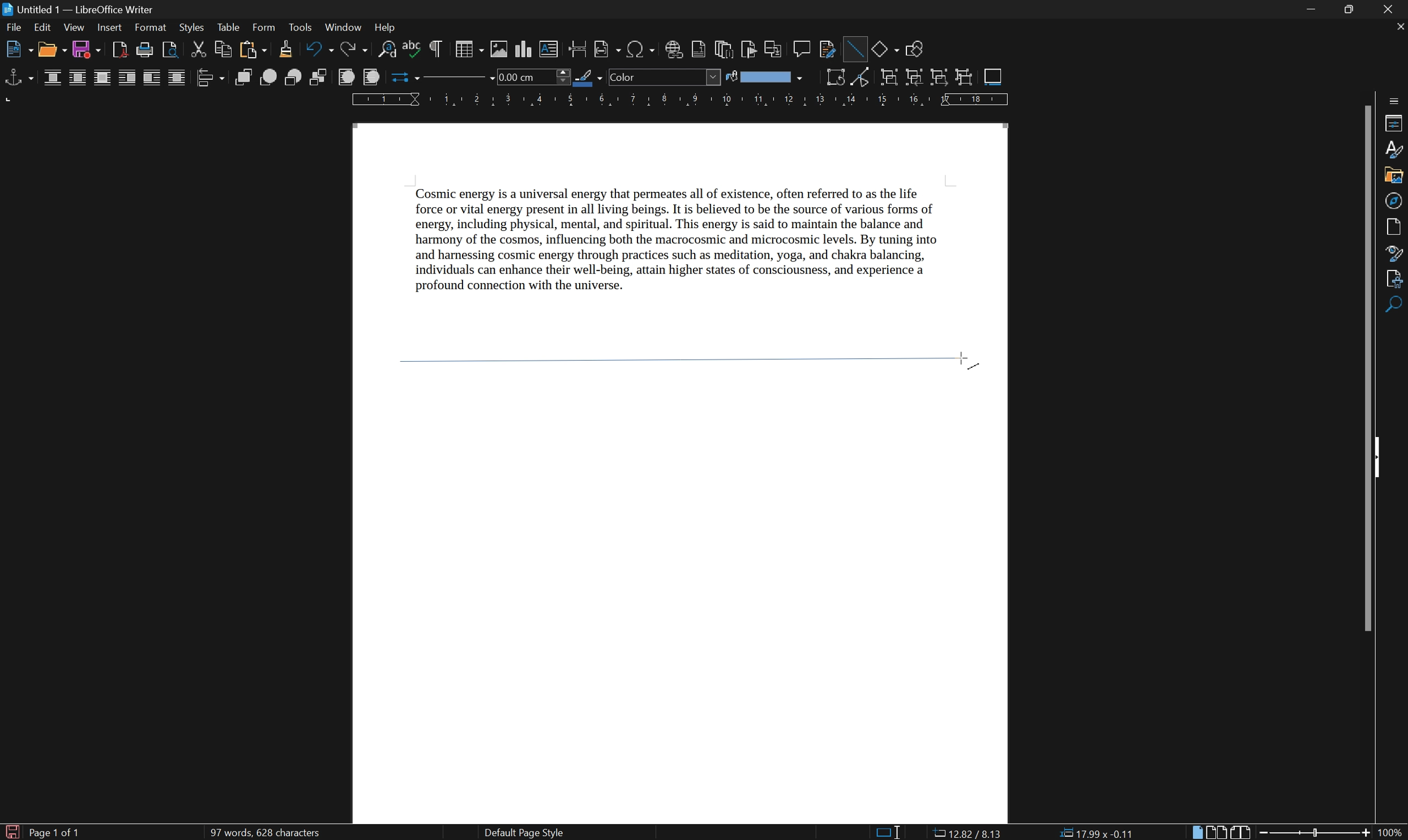  Describe the element at coordinates (144, 50) in the screenshot. I see `print` at that location.